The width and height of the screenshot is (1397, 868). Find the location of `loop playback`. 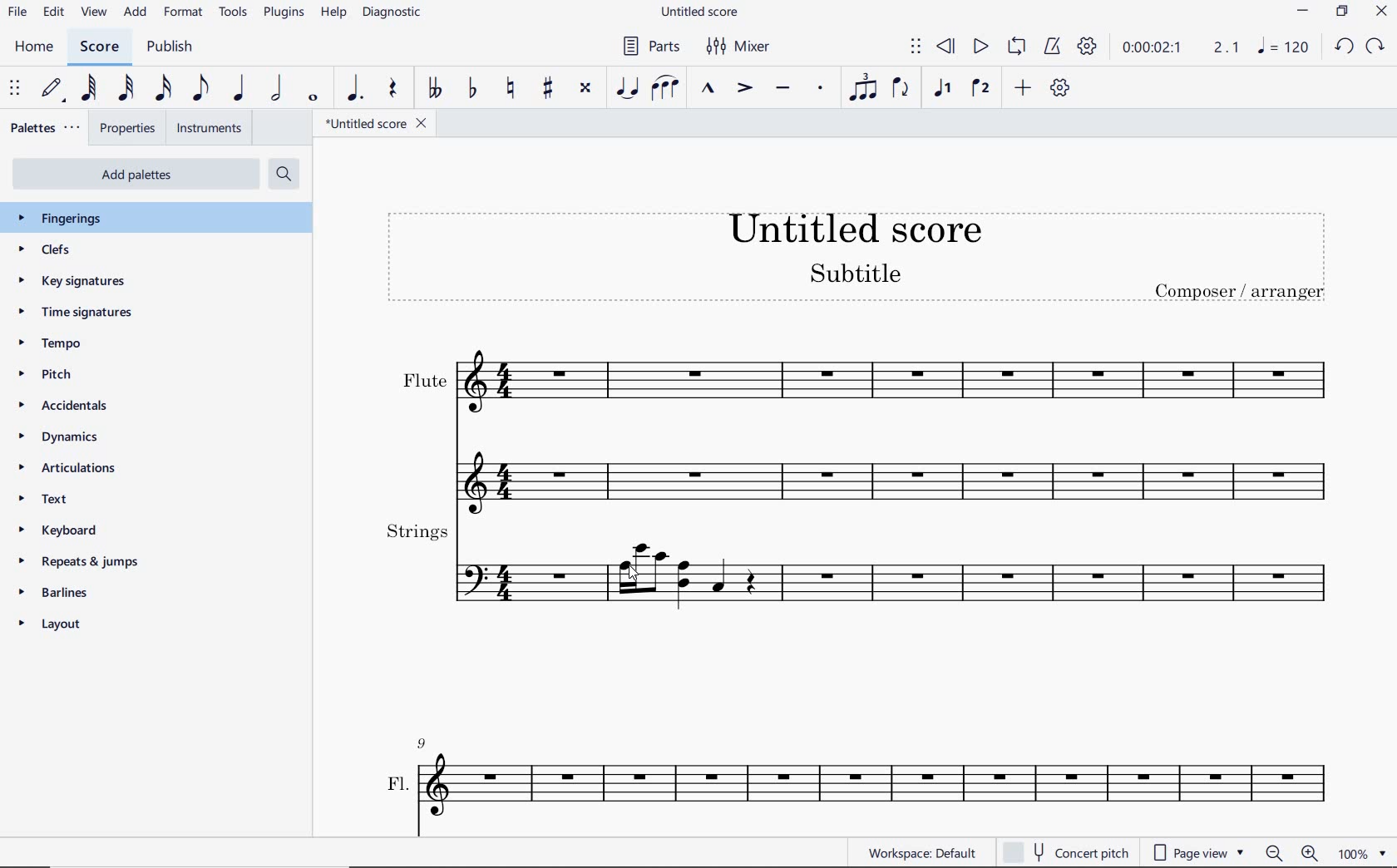

loop playback is located at coordinates (1016, 47).